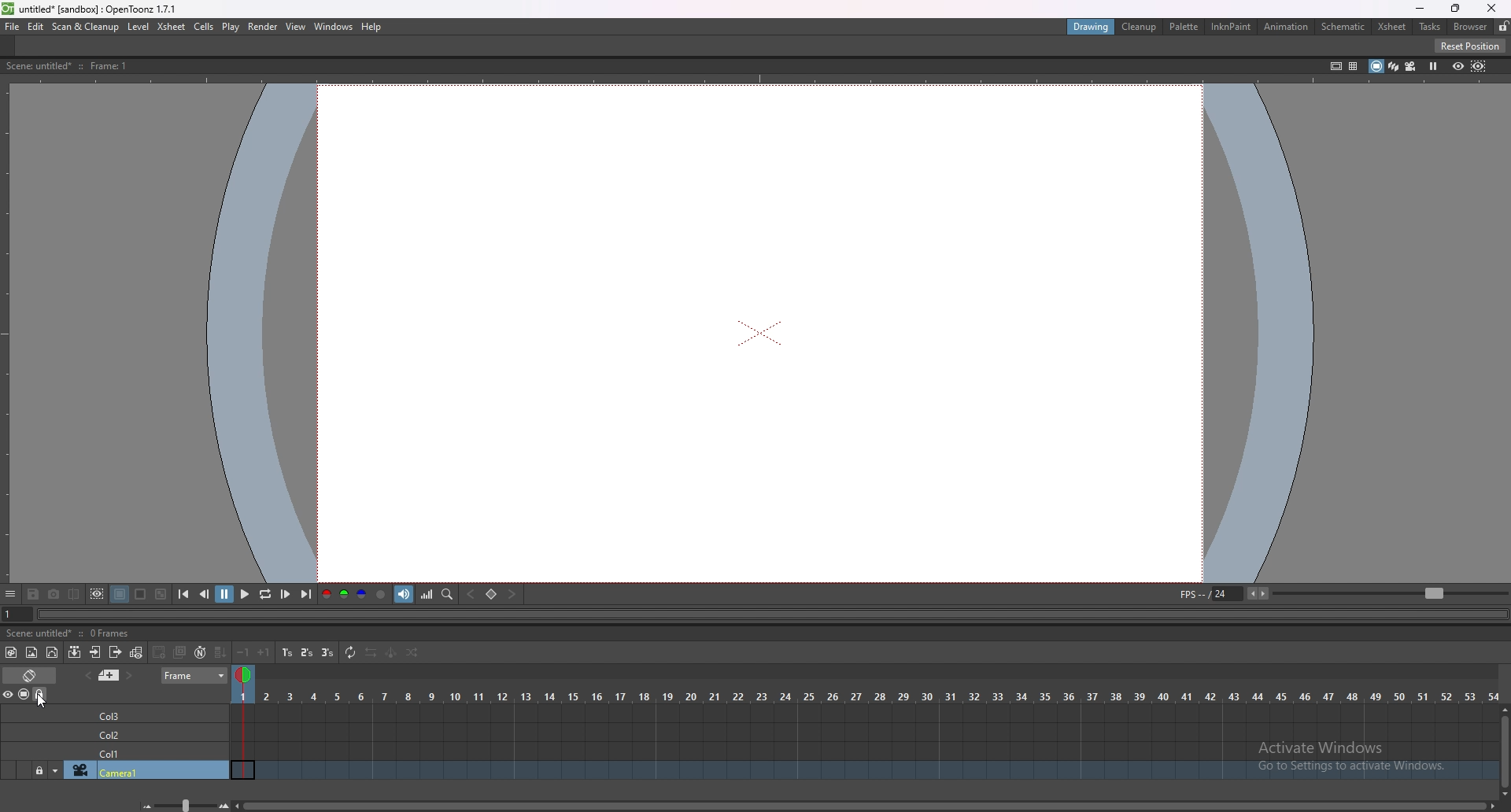  I want to click on white background, so click(141, 593).